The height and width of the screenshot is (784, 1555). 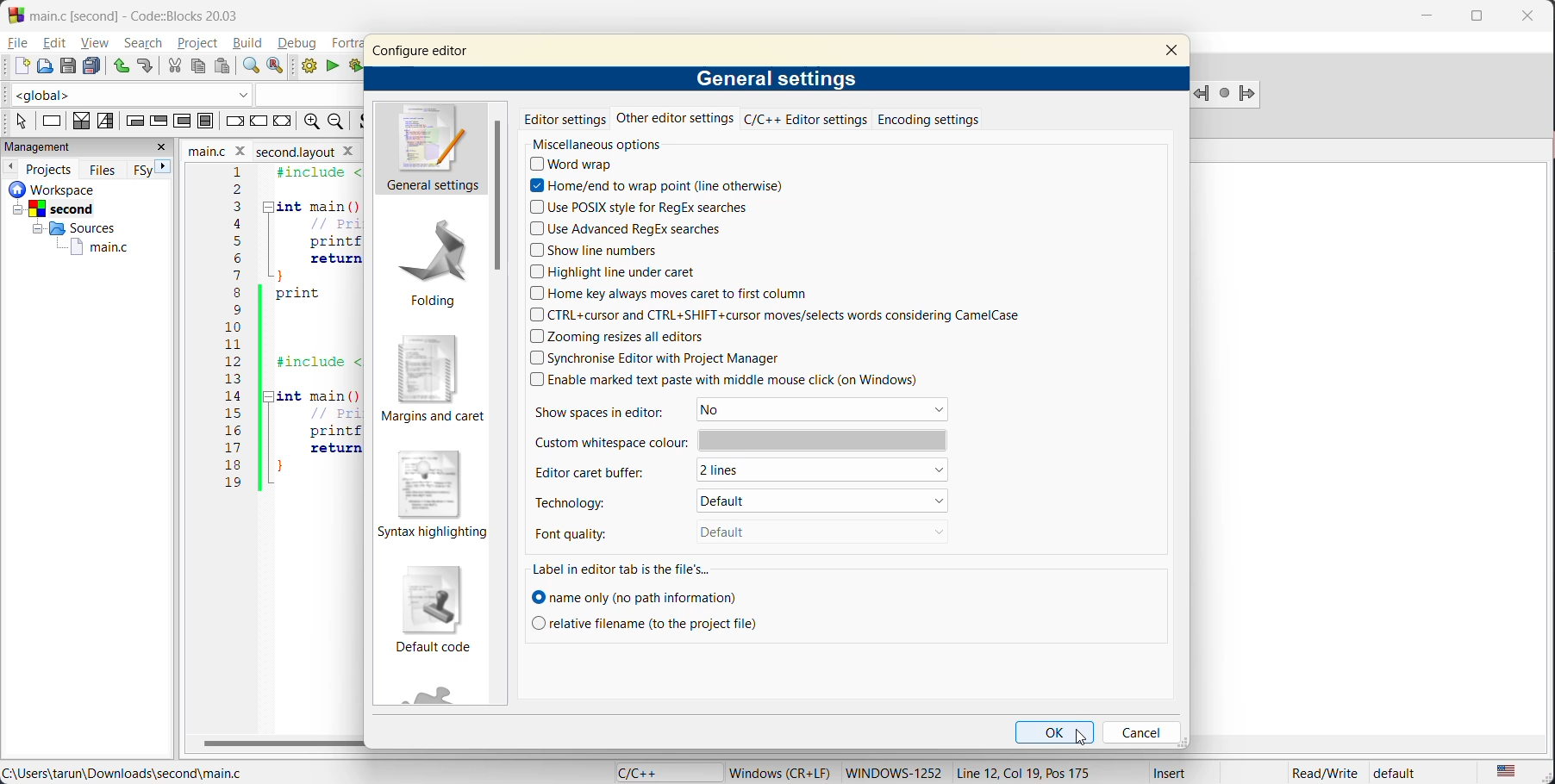 I want to click on save everything, so click(x=91, y=65).